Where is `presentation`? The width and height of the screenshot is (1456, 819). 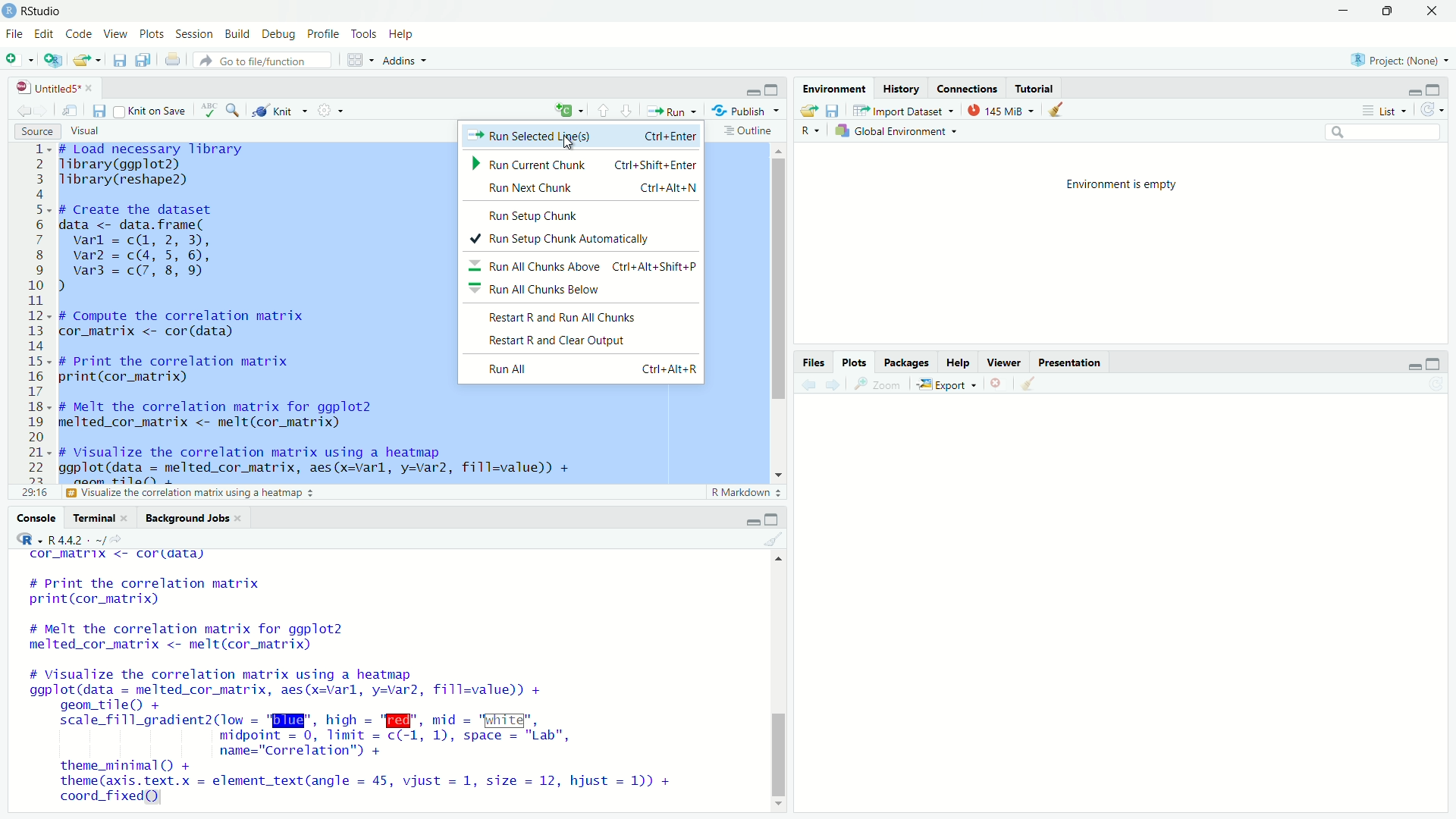
presentation is located at coordinates (1069, 362).